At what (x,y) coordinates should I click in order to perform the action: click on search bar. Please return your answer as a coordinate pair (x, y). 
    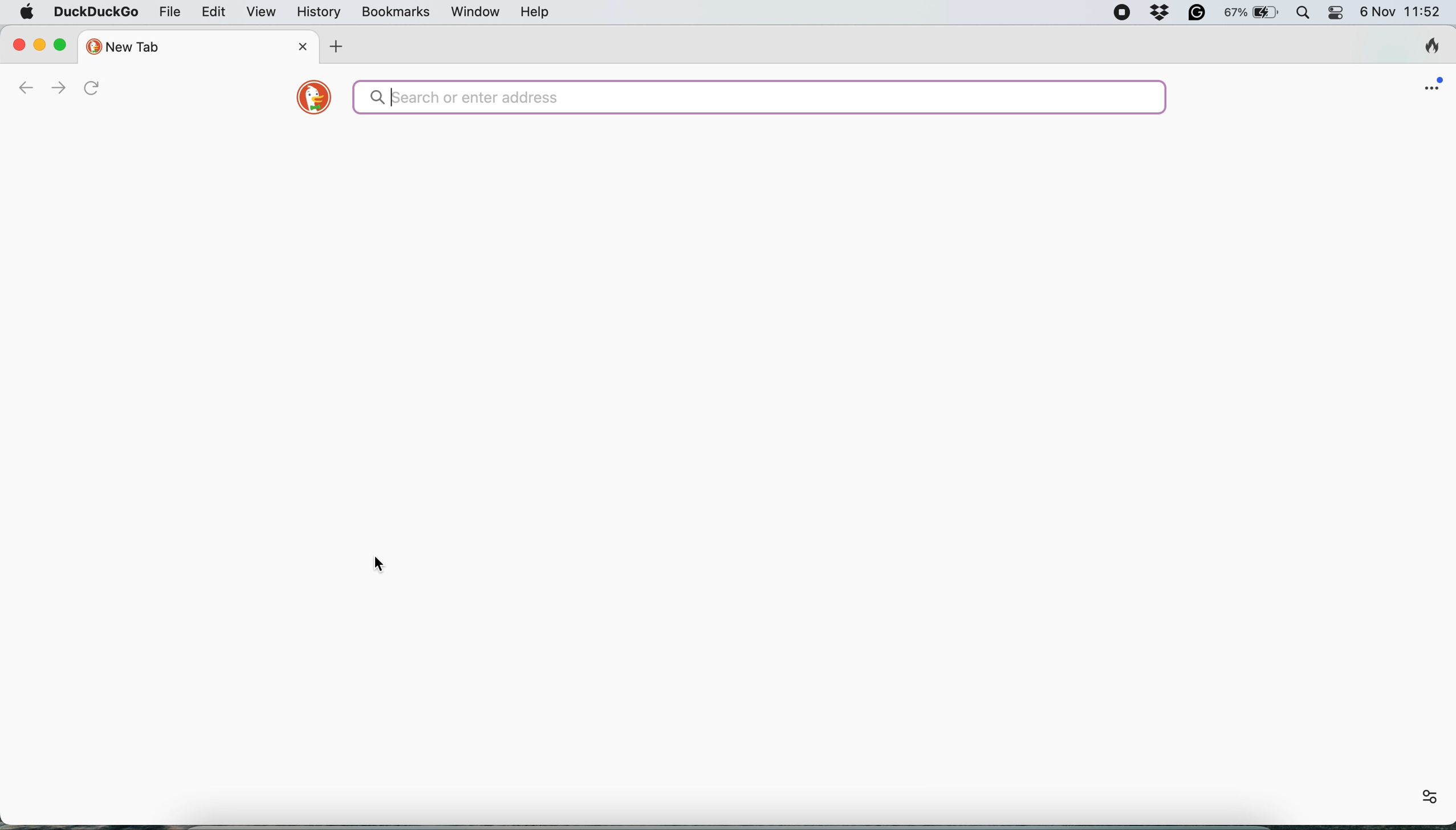
    Looking at the image, I should click on (760, 97).